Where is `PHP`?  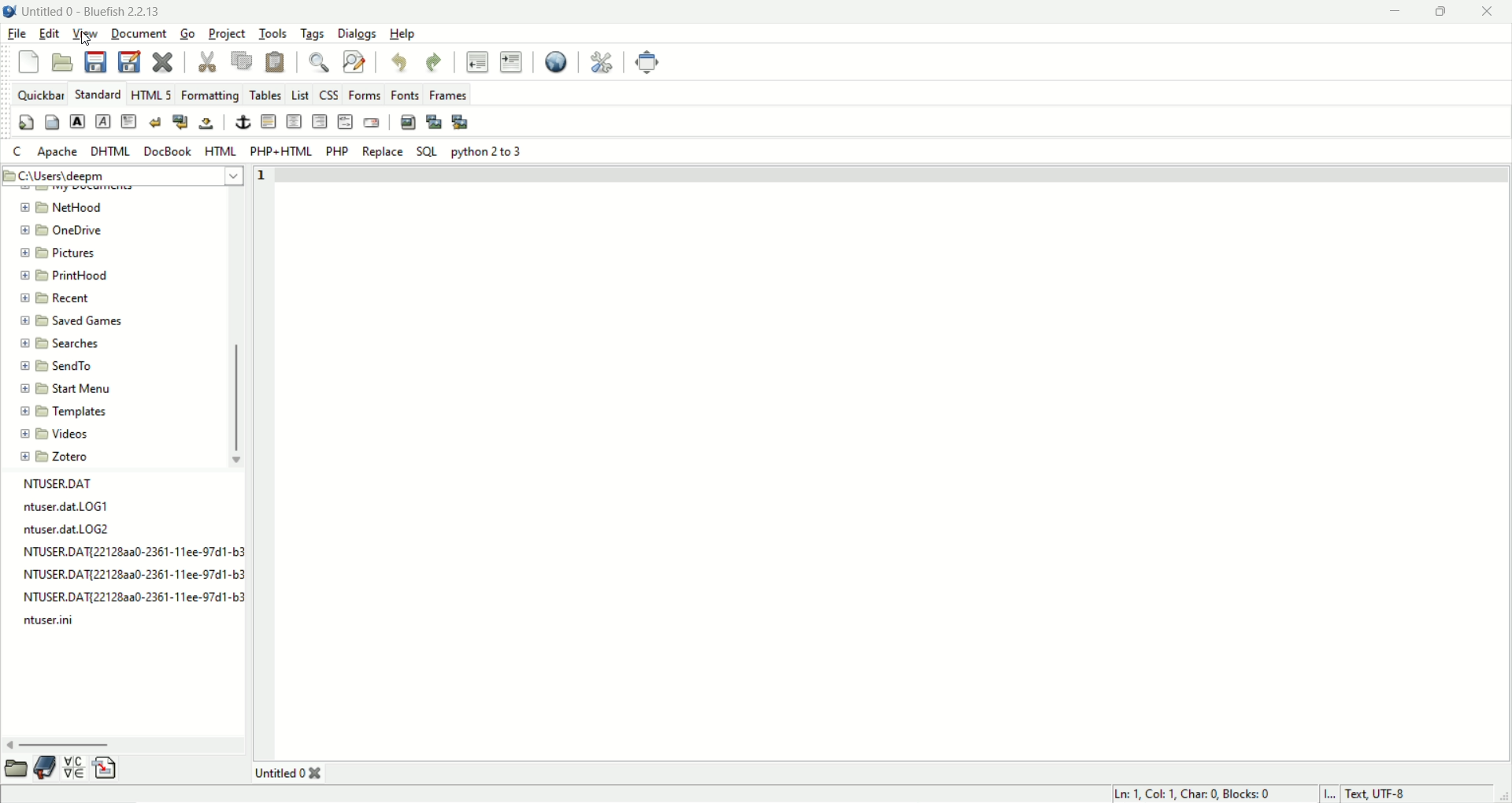
PHP is located at coordinates (337, 150).